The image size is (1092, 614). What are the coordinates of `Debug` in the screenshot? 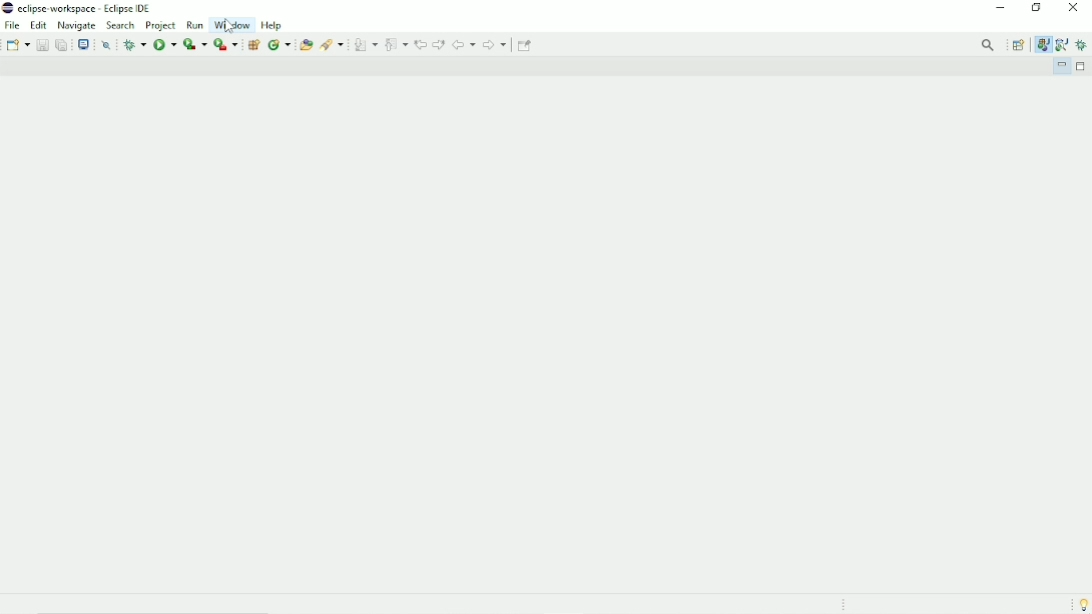 It's located at (134, 44).